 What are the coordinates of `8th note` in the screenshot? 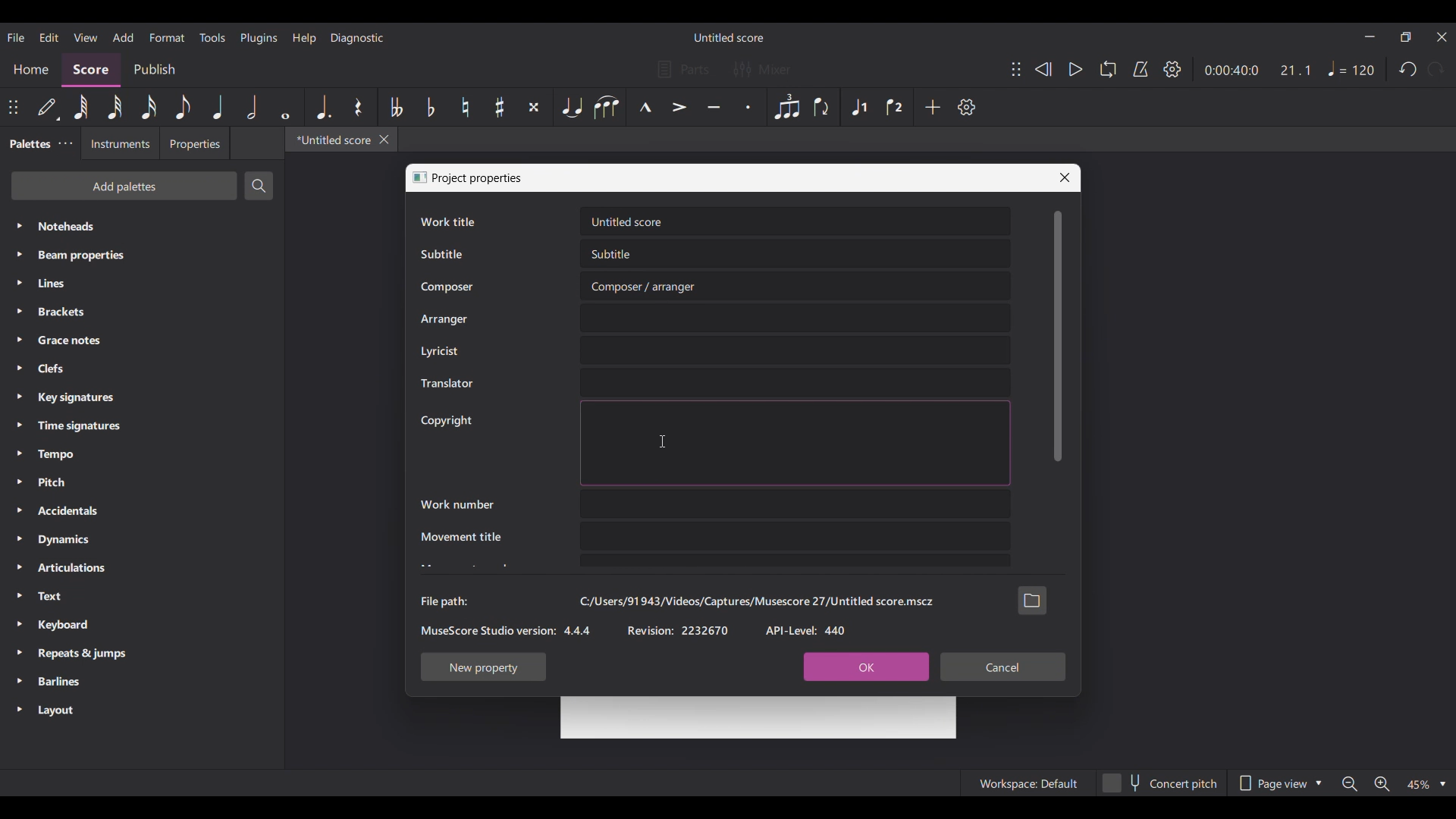 It's located at (183, 107).